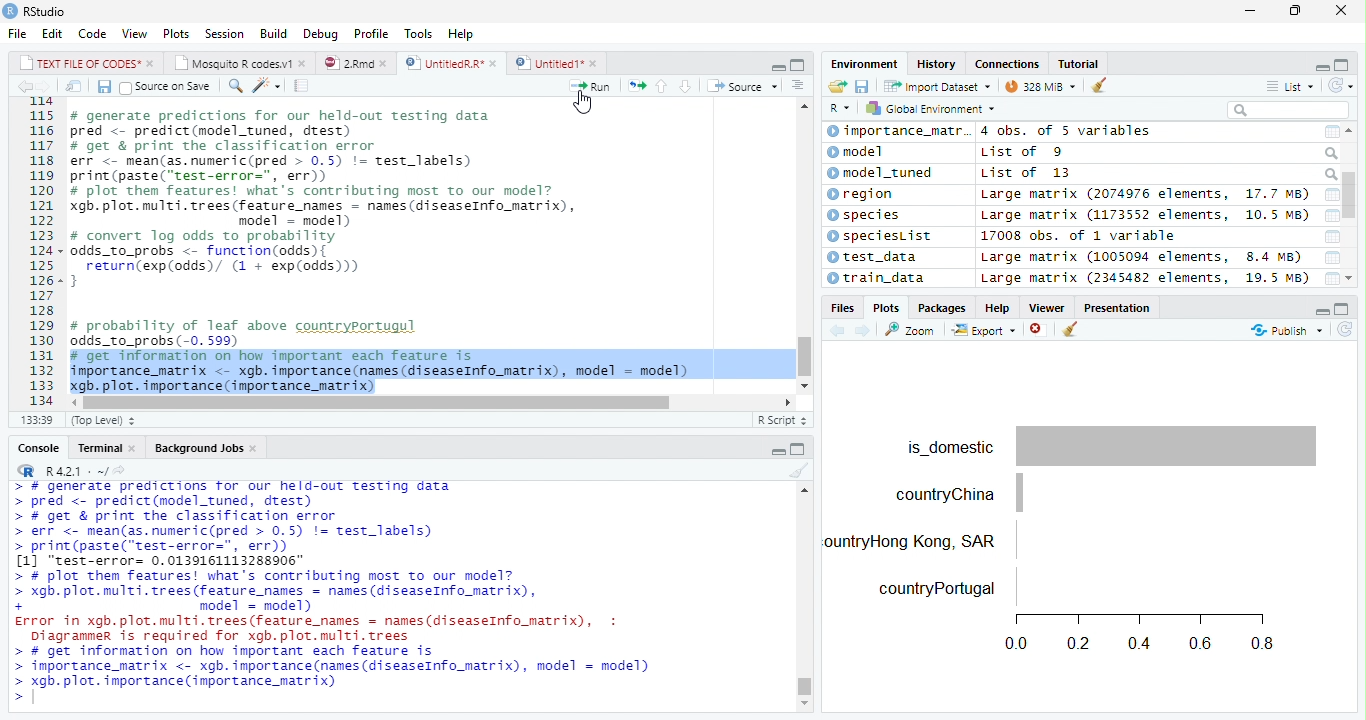 Image resolution: width=1366 pixels, height=720 pixels. What do you see at coordinates (1330, 174) in the screenshot?
I see `Search` at bounding box center [1330, 174].